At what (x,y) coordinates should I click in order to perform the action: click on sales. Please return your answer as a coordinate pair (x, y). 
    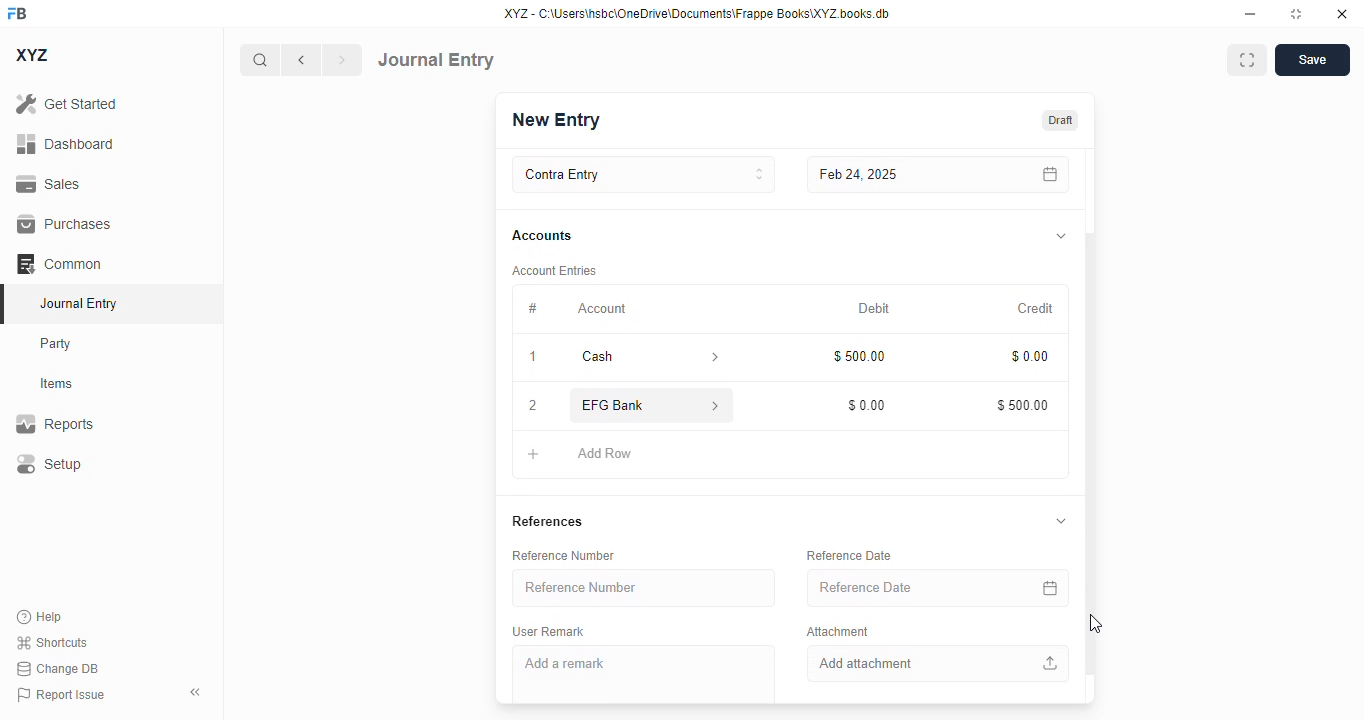
    Looking at the image, I should click on (48, 184).